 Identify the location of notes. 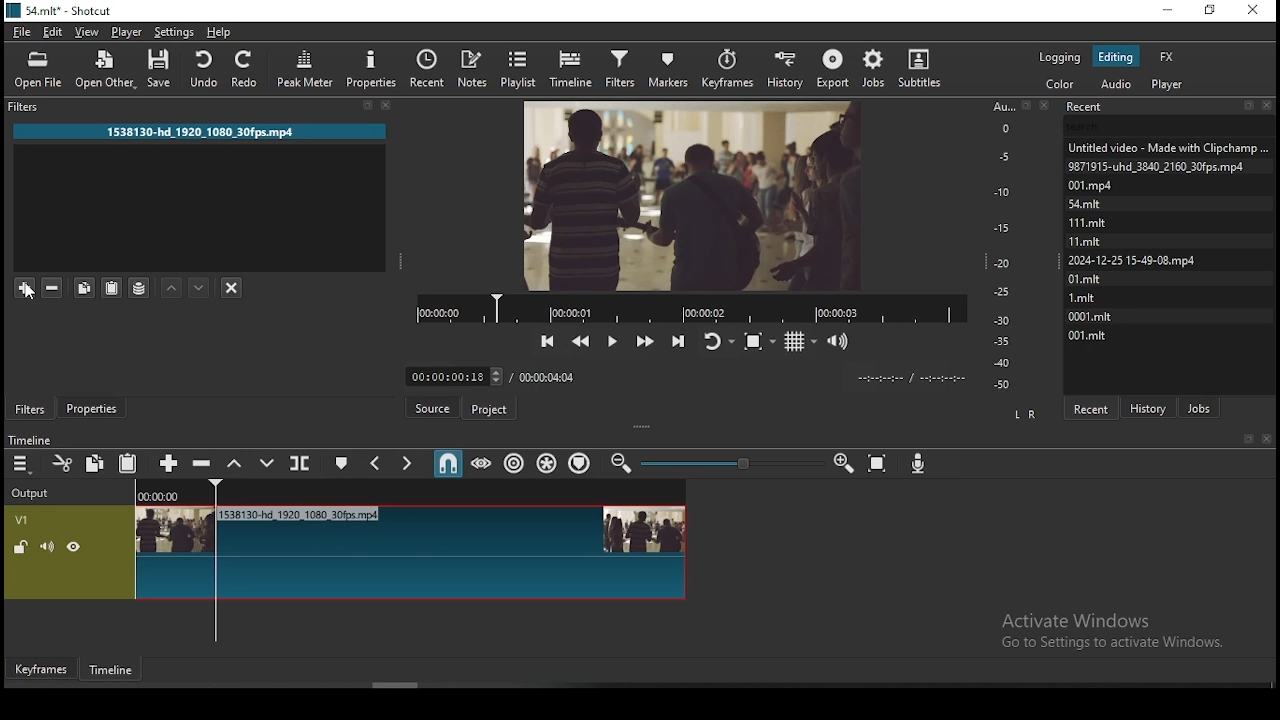
(475, 68).